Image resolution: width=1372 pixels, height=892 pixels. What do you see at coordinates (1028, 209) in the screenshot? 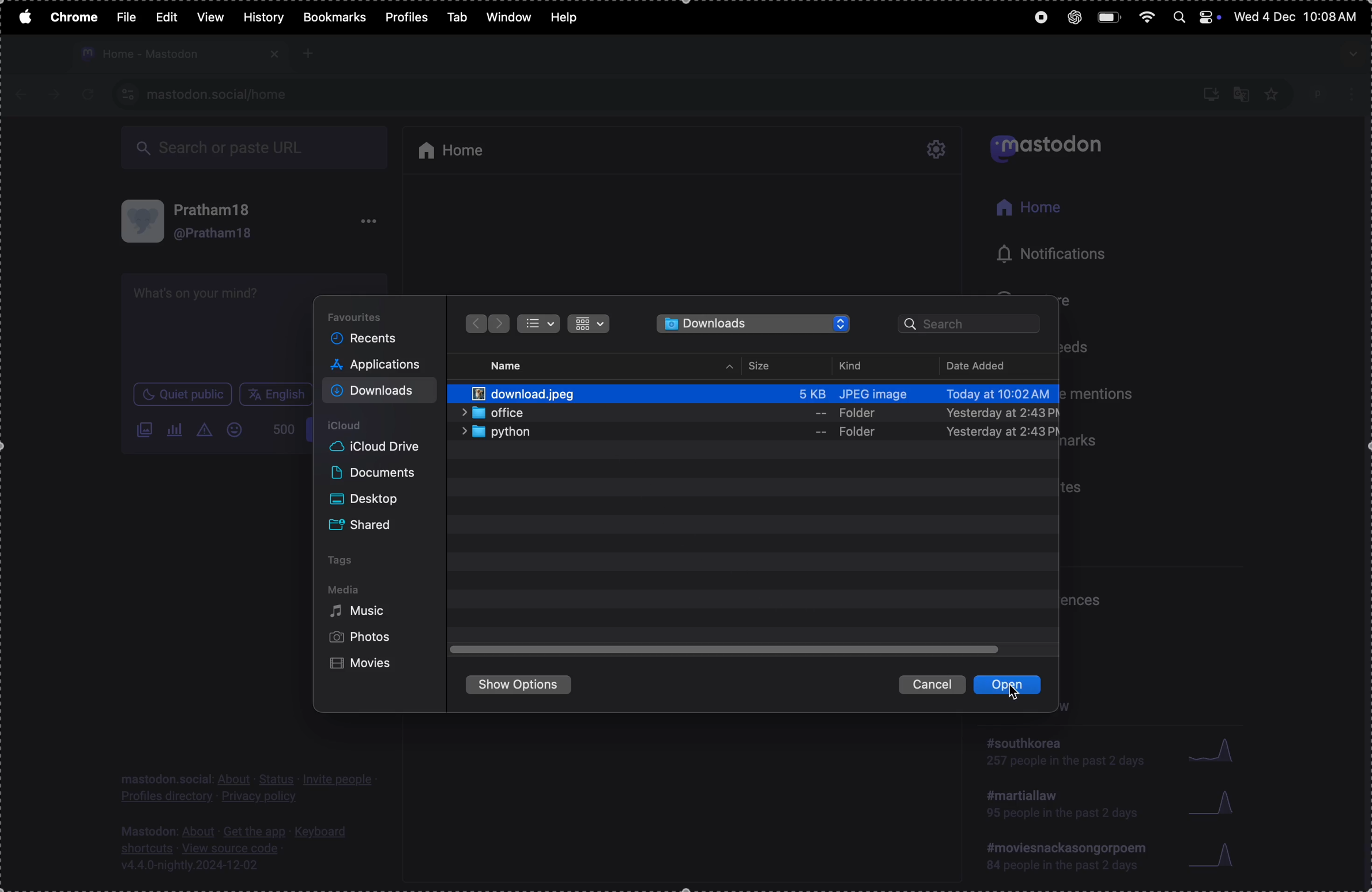
I see `Home` at bounding box center [1028, 209].